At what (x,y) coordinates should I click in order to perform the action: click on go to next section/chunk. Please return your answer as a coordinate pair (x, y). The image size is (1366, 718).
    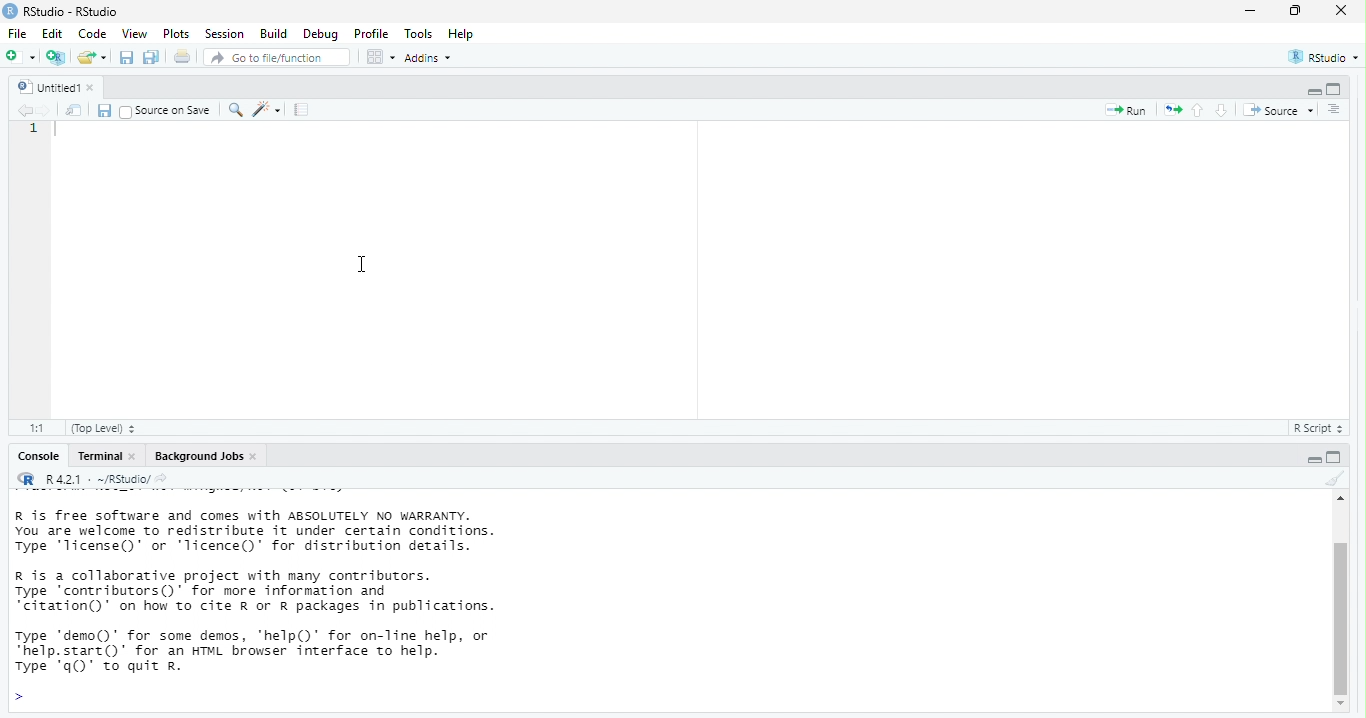
    Looking at the image, I should click on (1225, 109).